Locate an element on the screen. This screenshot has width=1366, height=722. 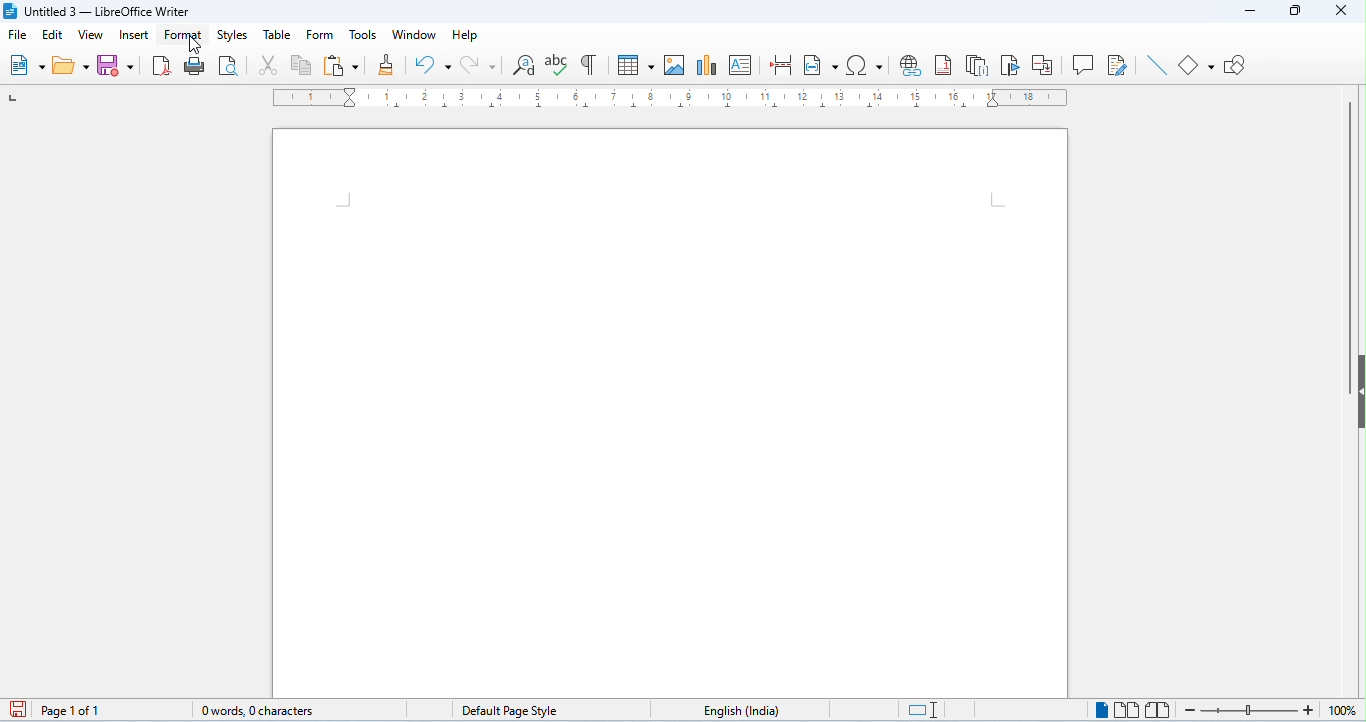
export as pdf is located at coordinates (162, 65).